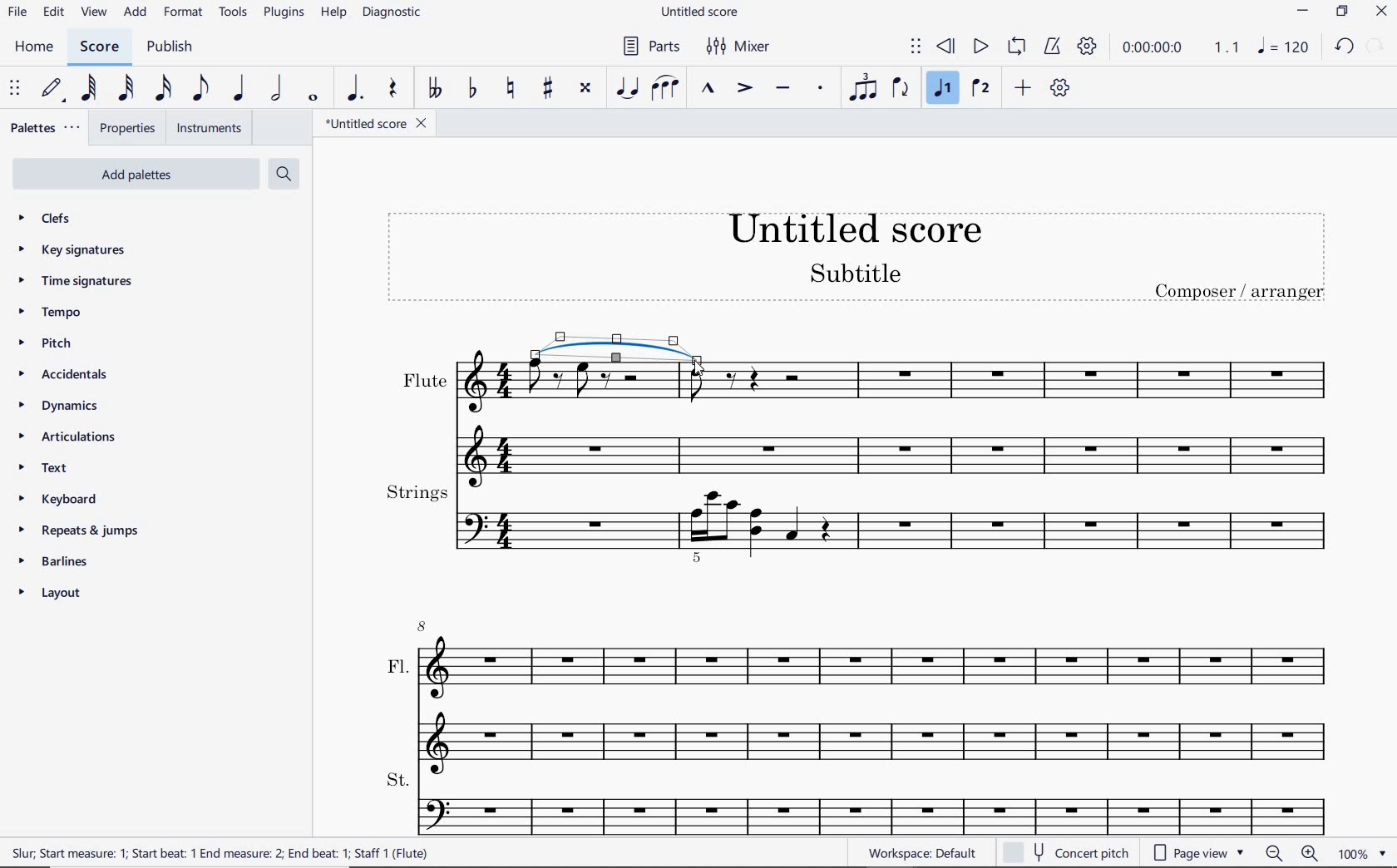 The height and width of the screenshot is (868, 1397). What do you see at coordinates (173, 47) in the screenshot?
I see `PUBLISH` at bounding box center [173, 47].